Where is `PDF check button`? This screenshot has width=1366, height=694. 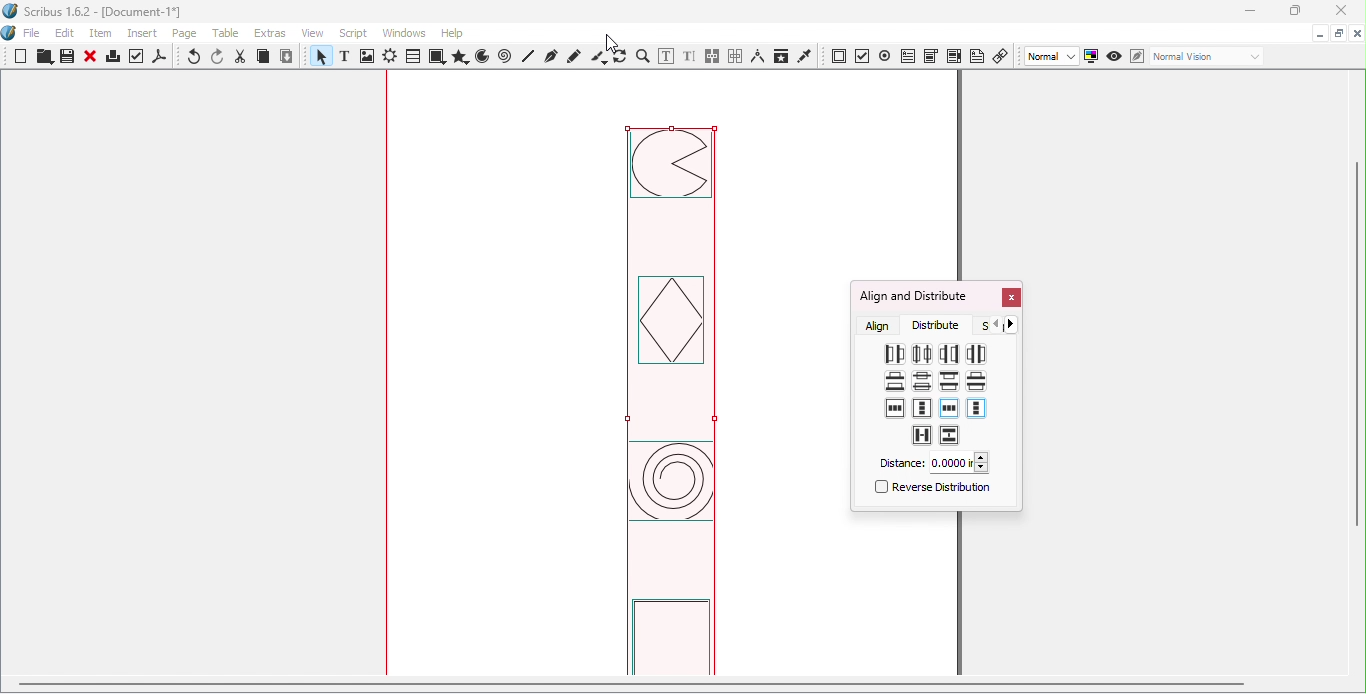
PDF check button is located at coordinates (863, 55).